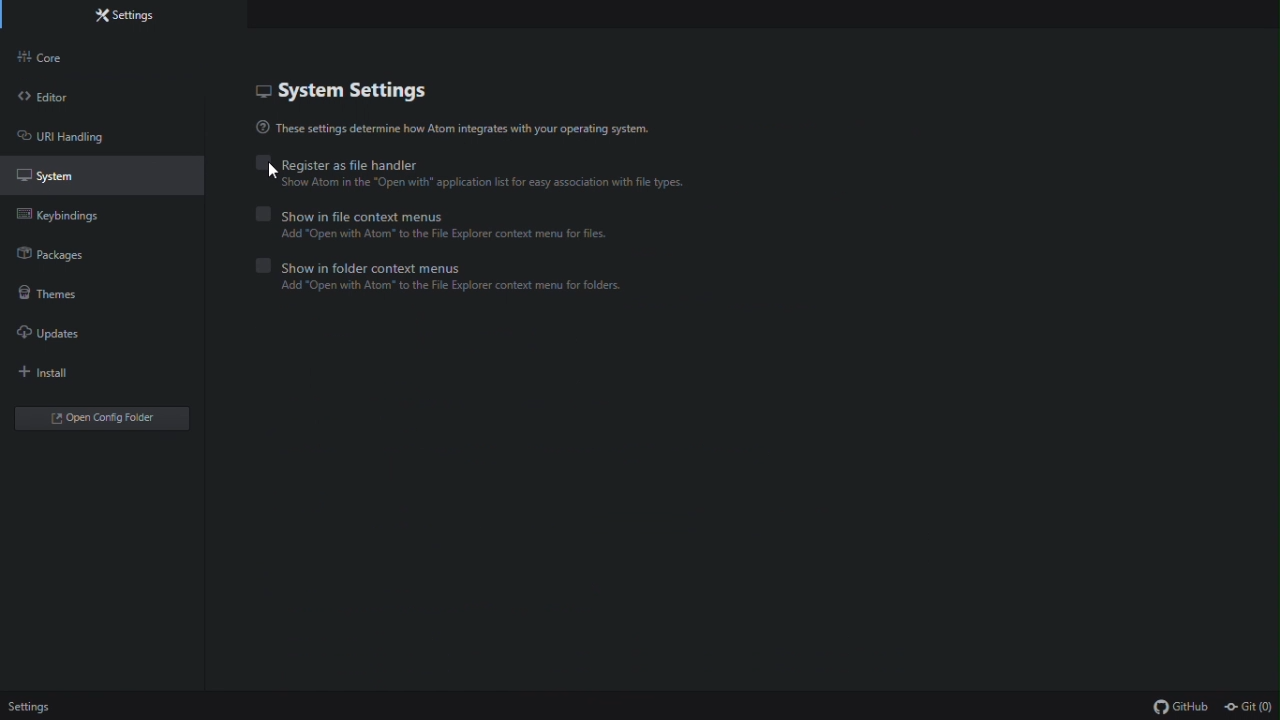 Image resolution: width=1280 pixels, height=720 pixels. Describe the element at coordinates (55, 297) in the screenshot. I see `themes` at that location.